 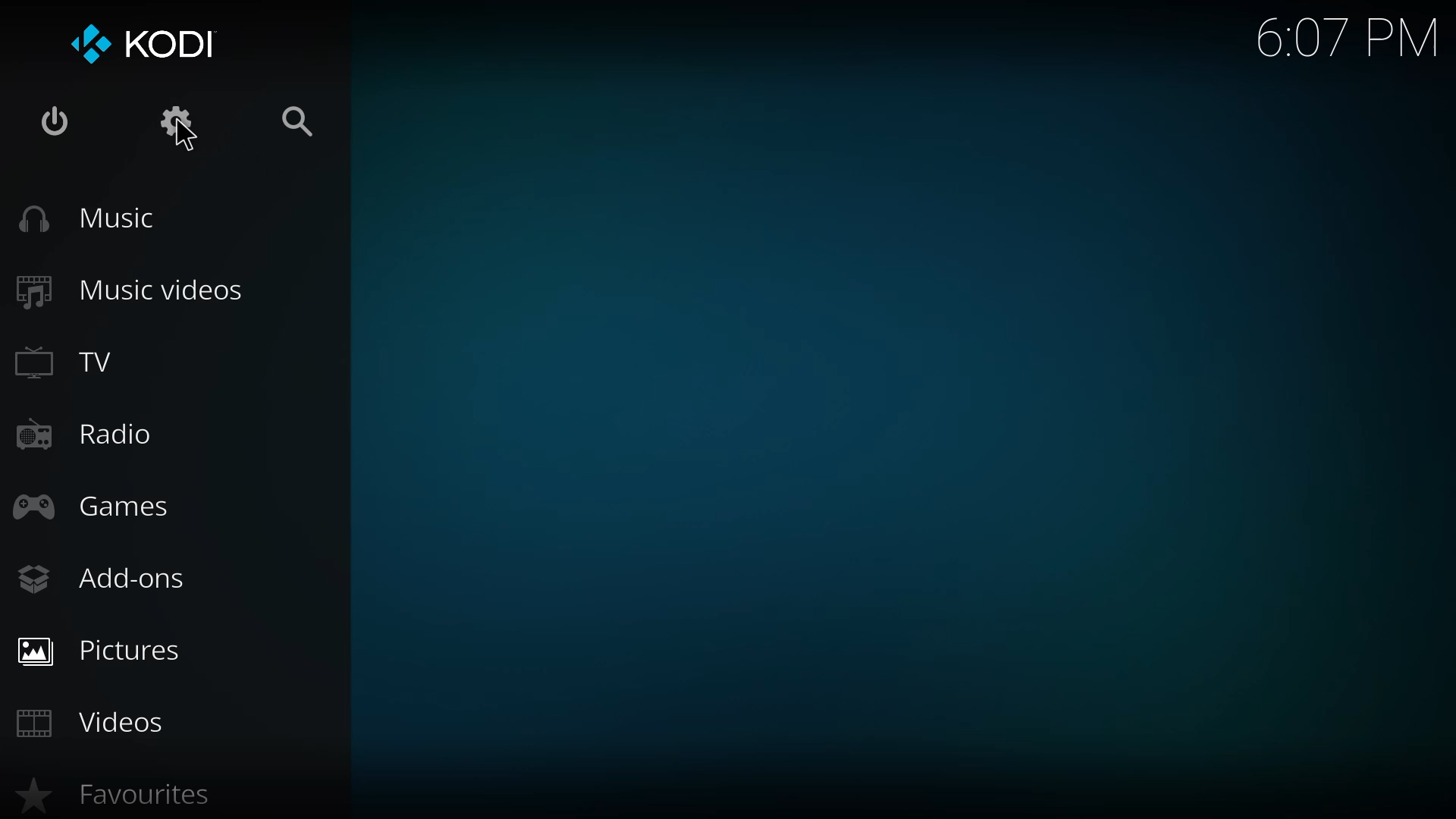 I want to click on music videos, so click(x=133, y=288).